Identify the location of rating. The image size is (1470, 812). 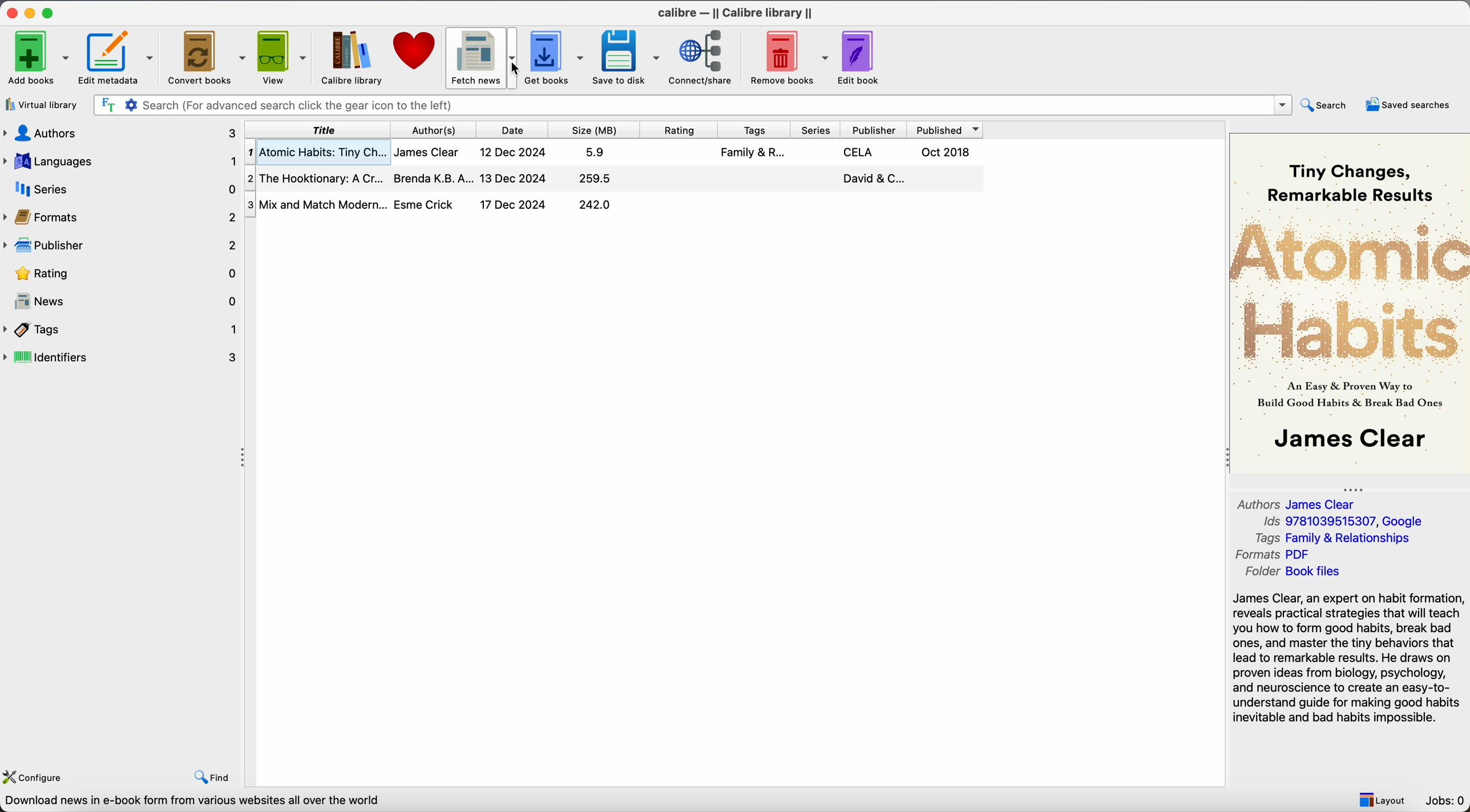
(119, 273).